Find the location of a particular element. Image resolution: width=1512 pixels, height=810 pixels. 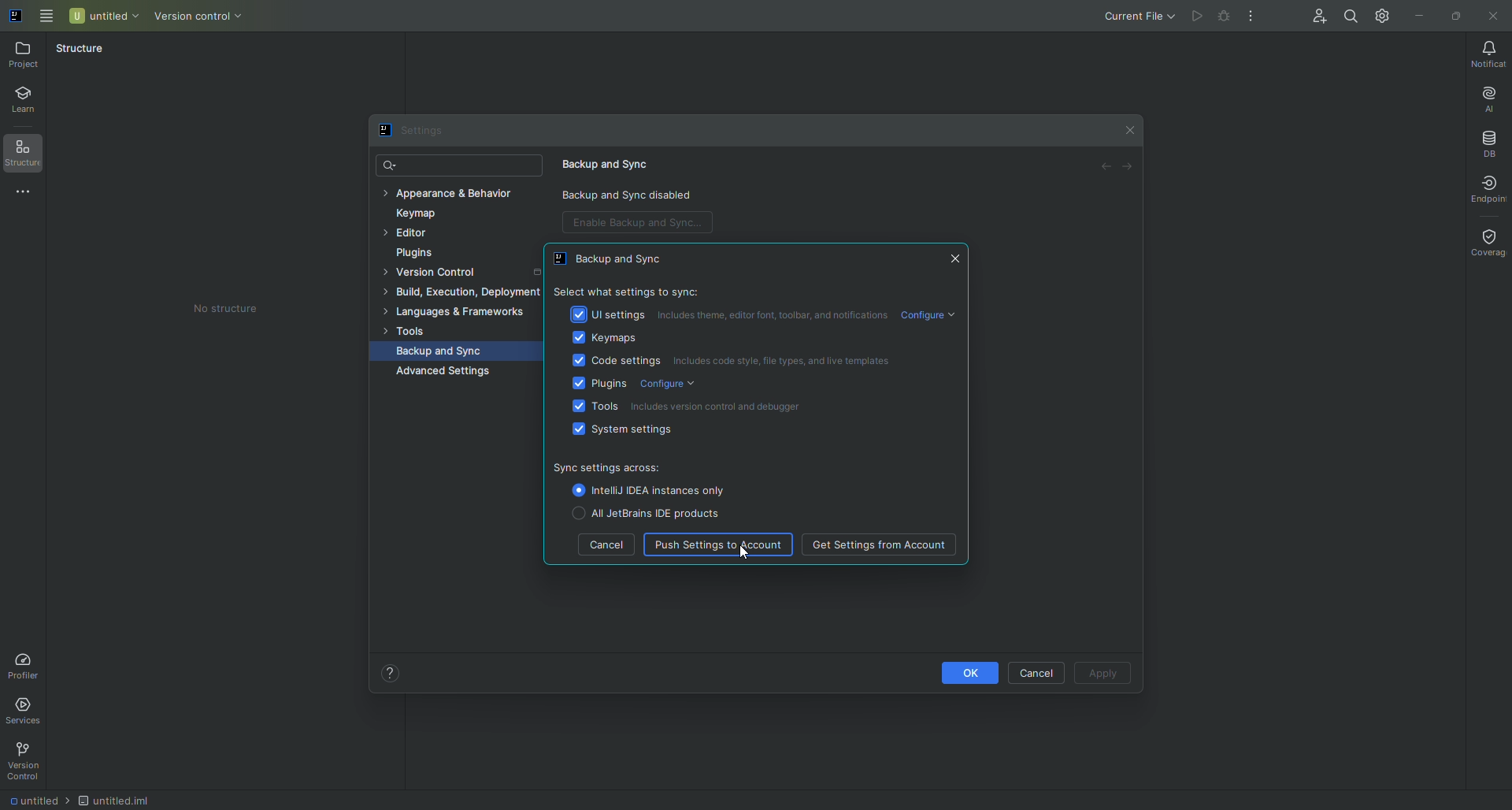

ui settings includes theme, editor font, toolbar, and notifications is located at coordinates (728, 312).